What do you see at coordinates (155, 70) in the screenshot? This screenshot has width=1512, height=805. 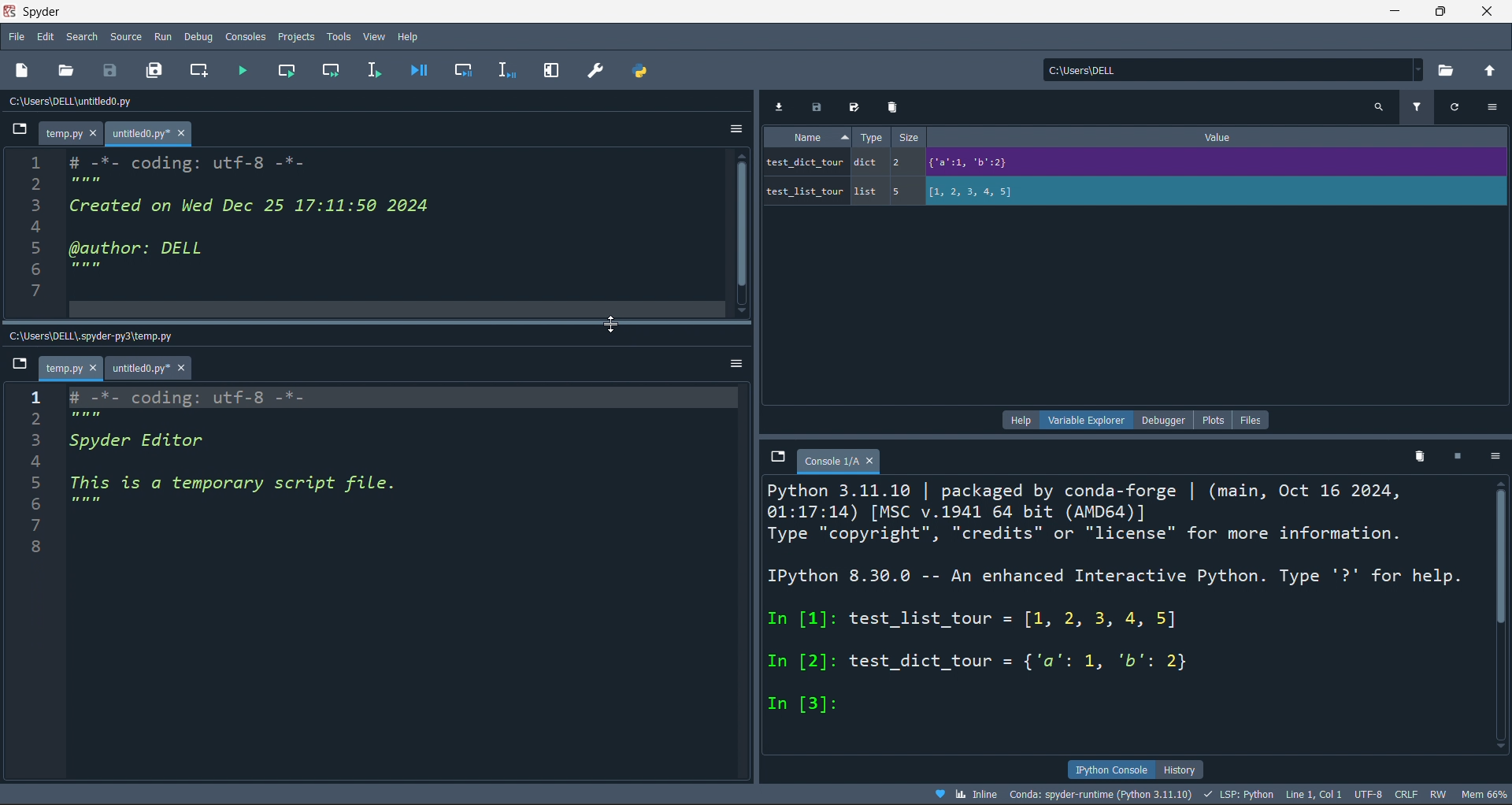 I see `save all files` at bounding box center [155, 70].